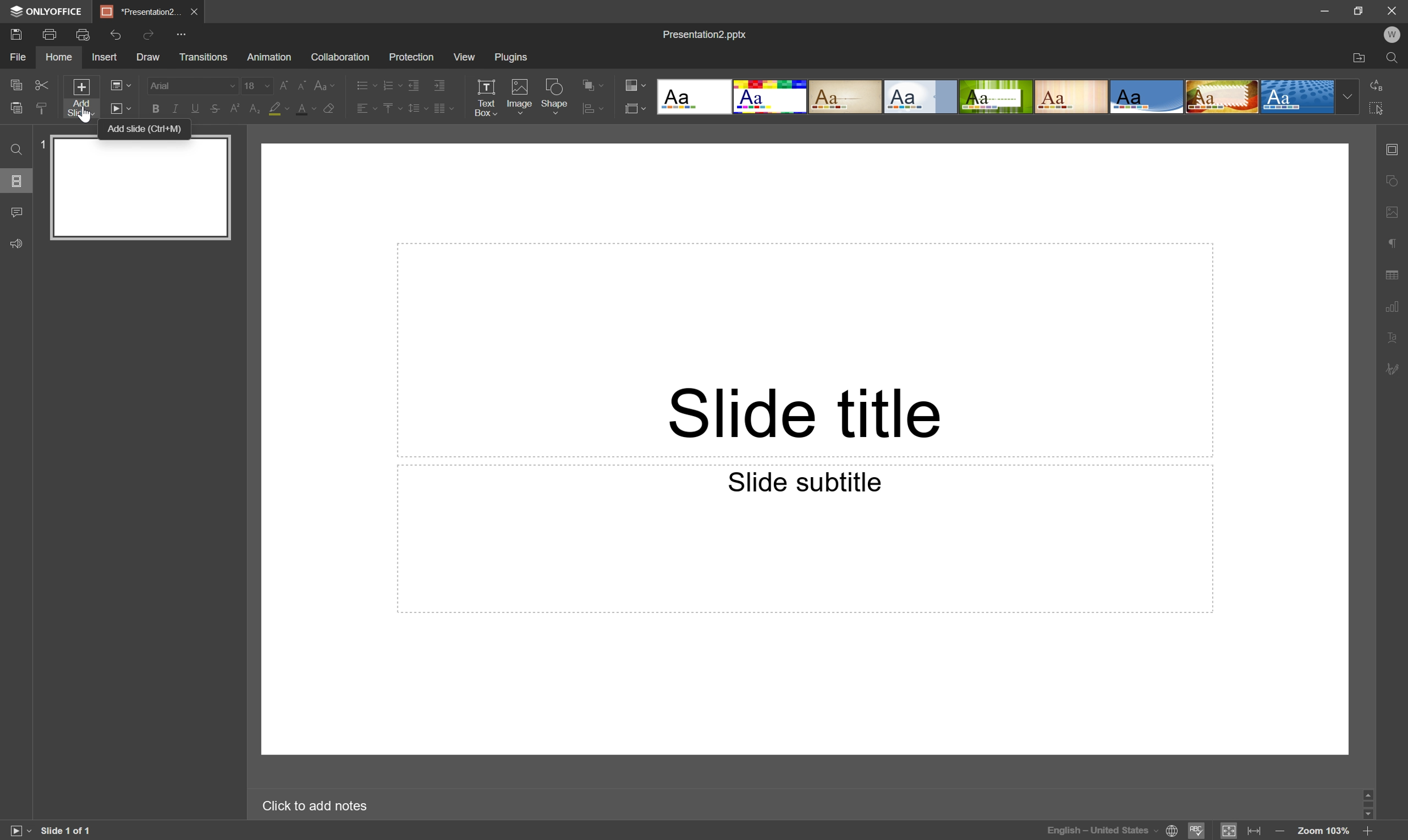 The image size is (1408, 840). What do you see at coordinates (341, 57) in the screenshot?
I see `Collaboration` at bounding box center [341, 57].